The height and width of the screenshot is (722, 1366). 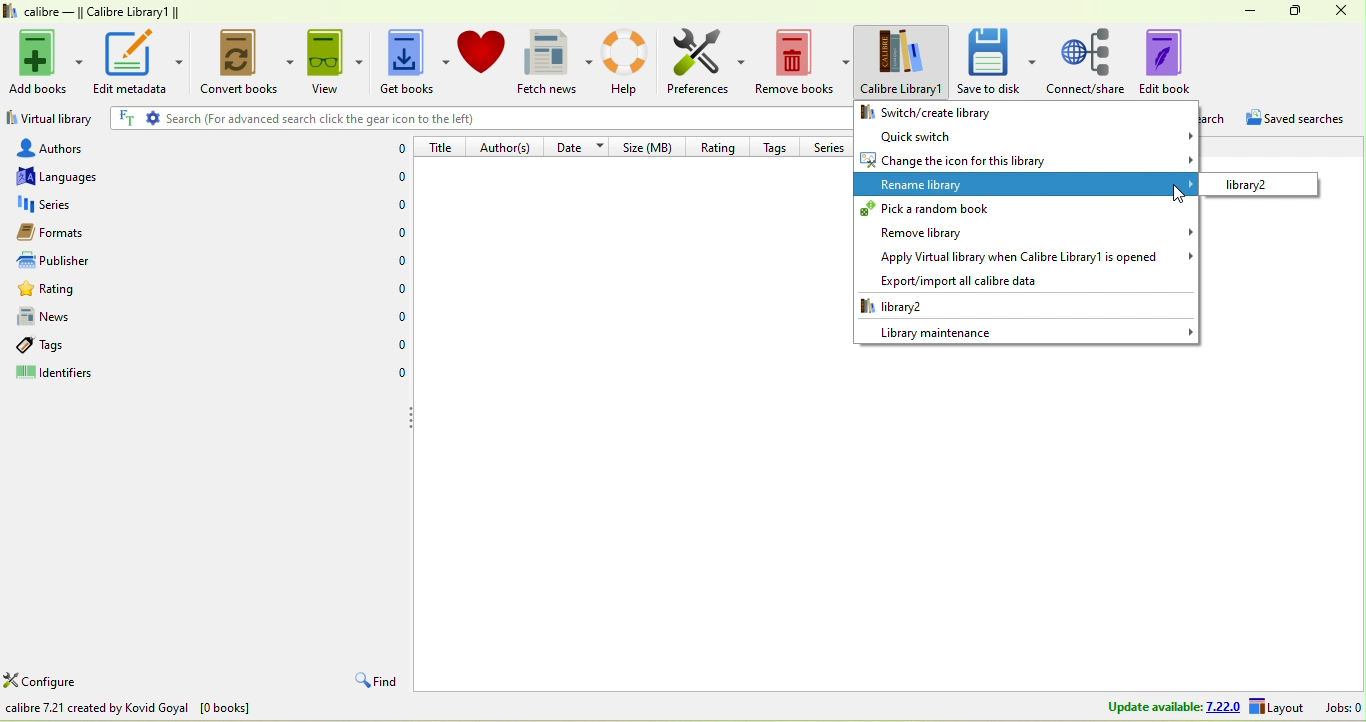 What do you see at coordinates (716, 145) in the screenshot?
I see `rating` at bounding box center [716, 145].